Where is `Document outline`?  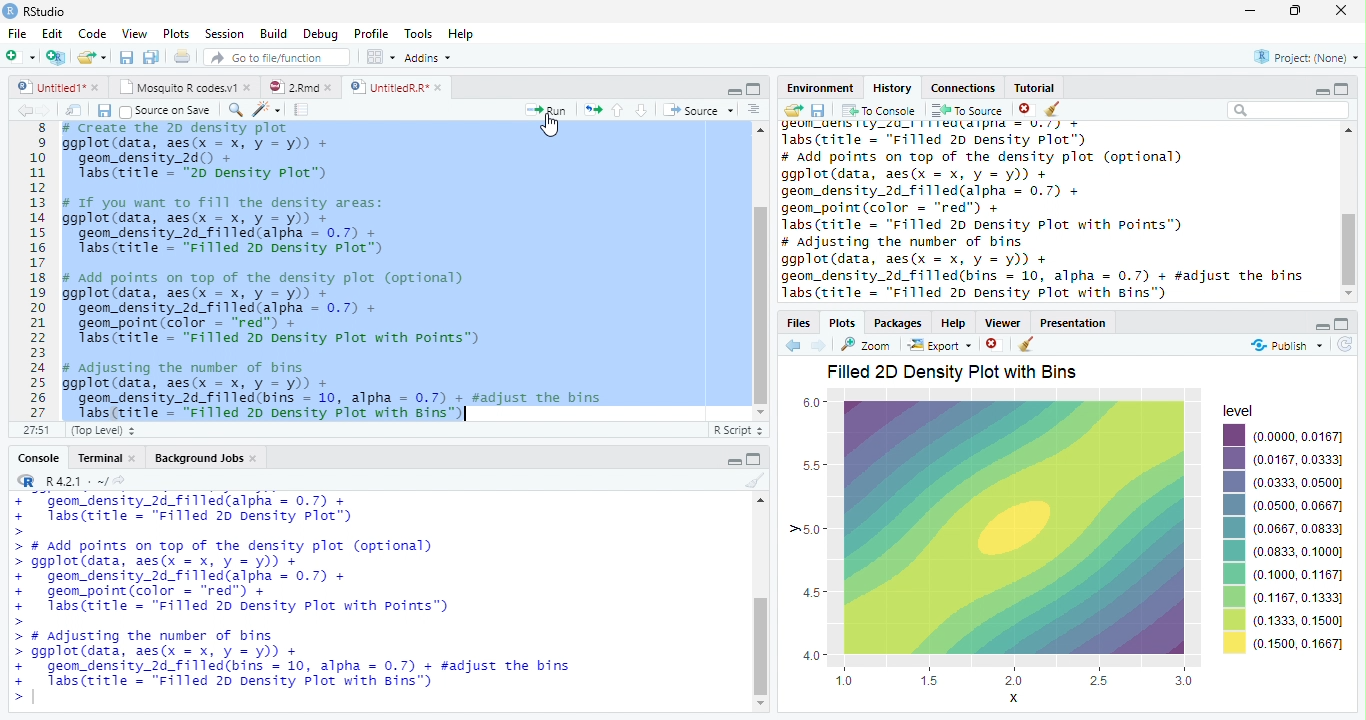
Document outline is located at coordinates (754, 111).